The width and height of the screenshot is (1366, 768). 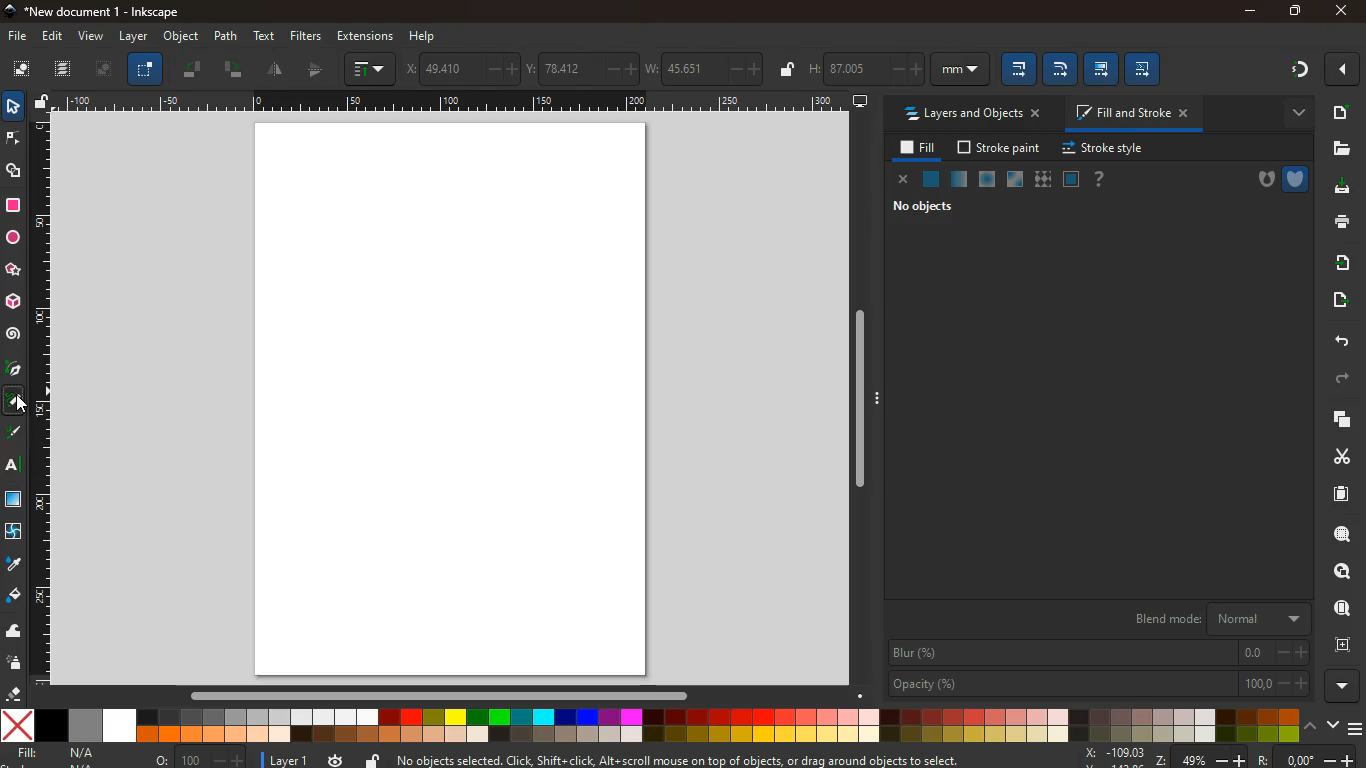 What do you see at coordinates (1299, 72) in the screenshot?
I see `diagram` at bounding box center [1299, 72].